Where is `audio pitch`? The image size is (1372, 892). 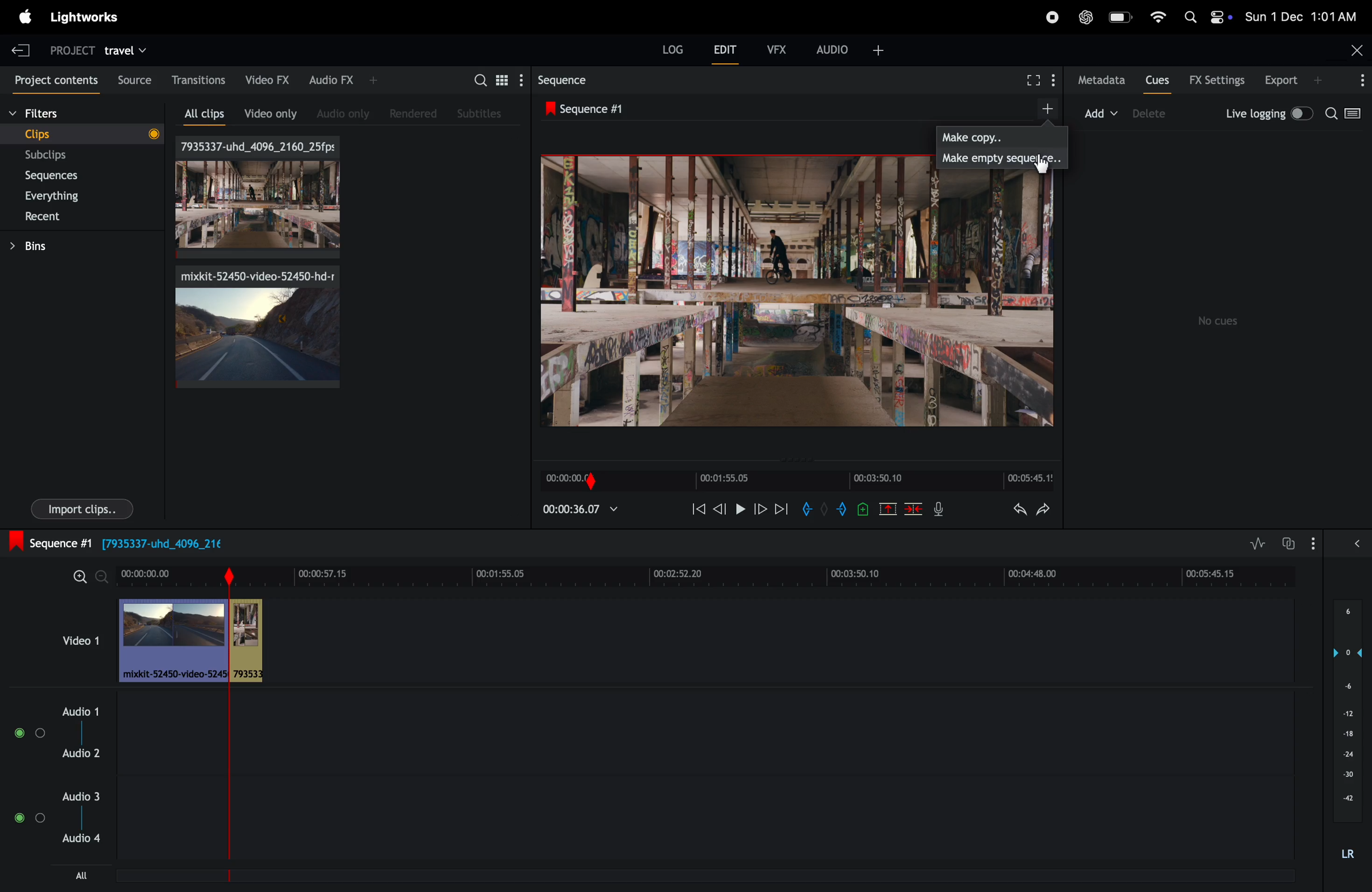
audio pitch is located at coordinates (1348, 736).